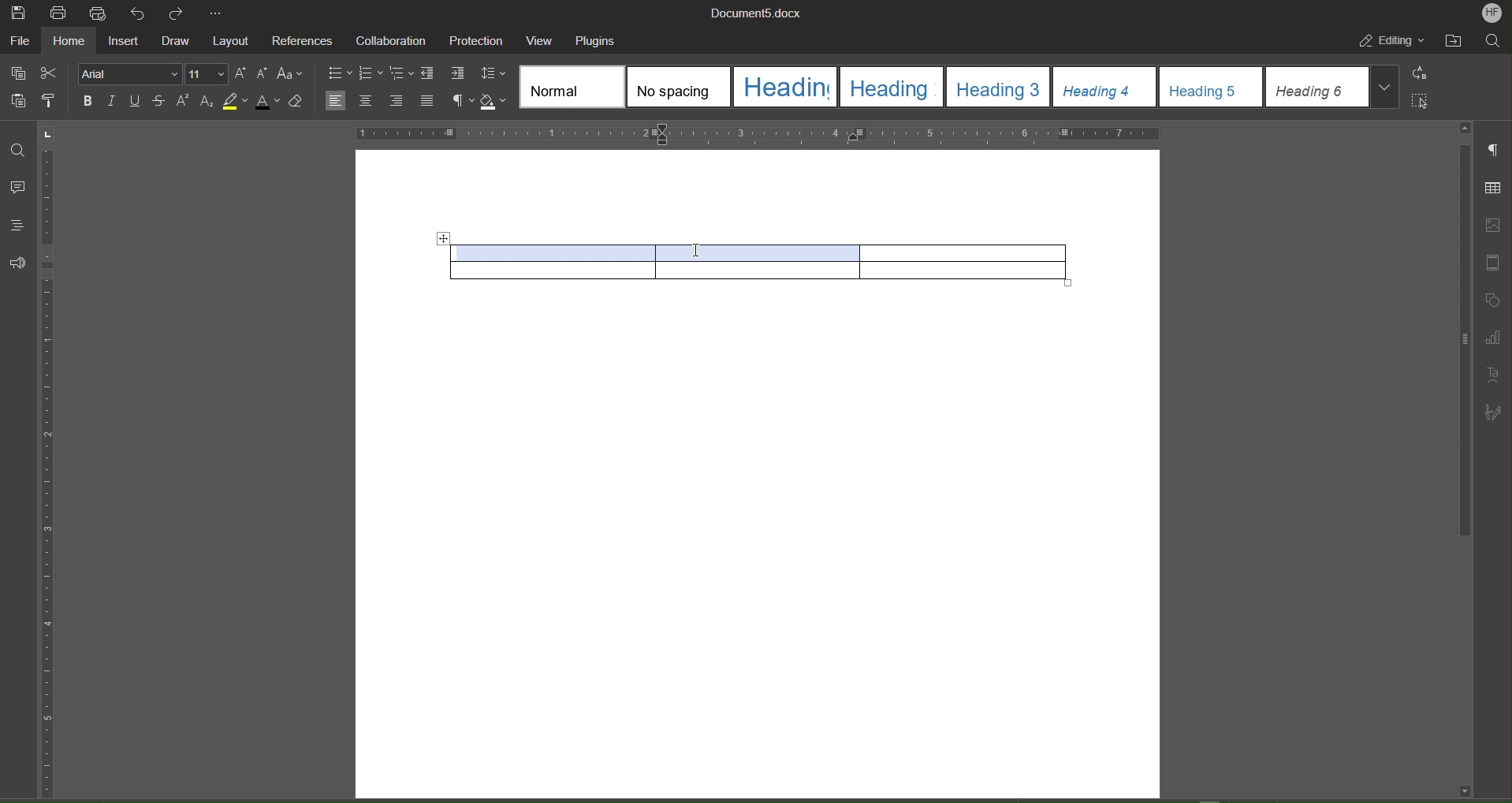 The height and width of the screenshot is (803, 1512). Describe the element at coordinates (88, 102) in the screenshot. I see `Bold` at that location.